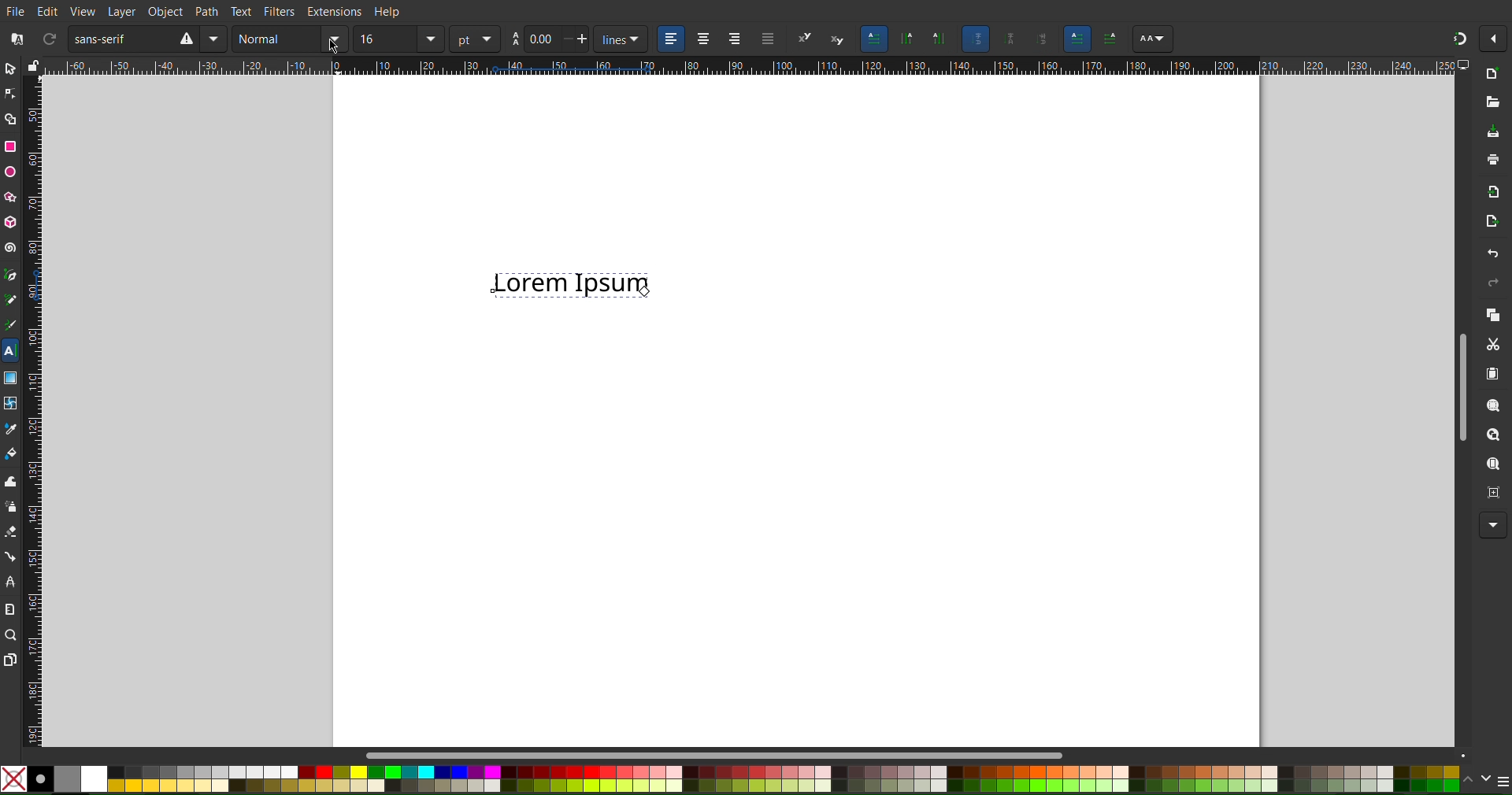 This screenshot has width=1512, height=795. Describe the element at coordinates (83, 11) in the screenshot. I see `View` at that location.